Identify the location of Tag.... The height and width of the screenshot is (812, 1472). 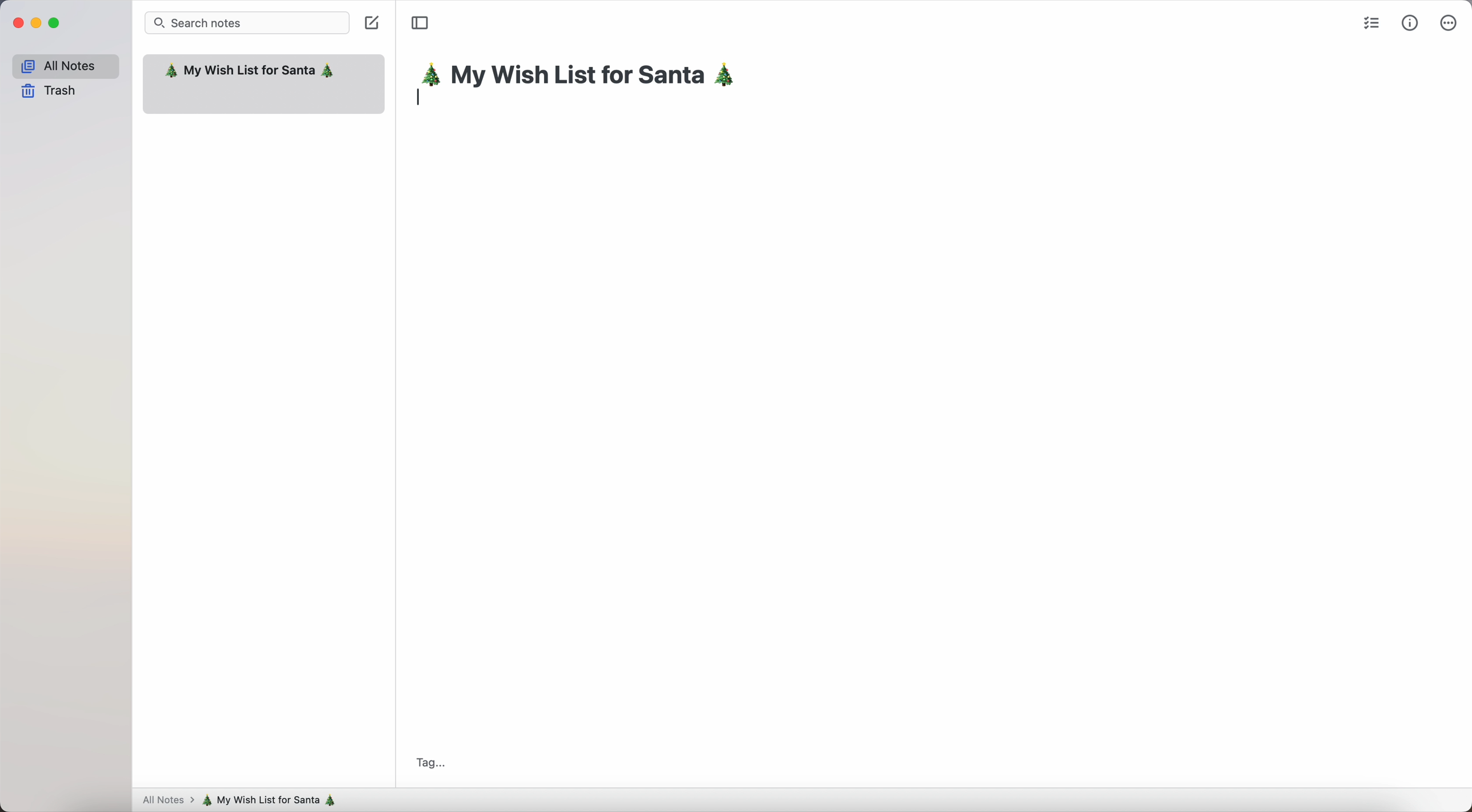
(429, 762).